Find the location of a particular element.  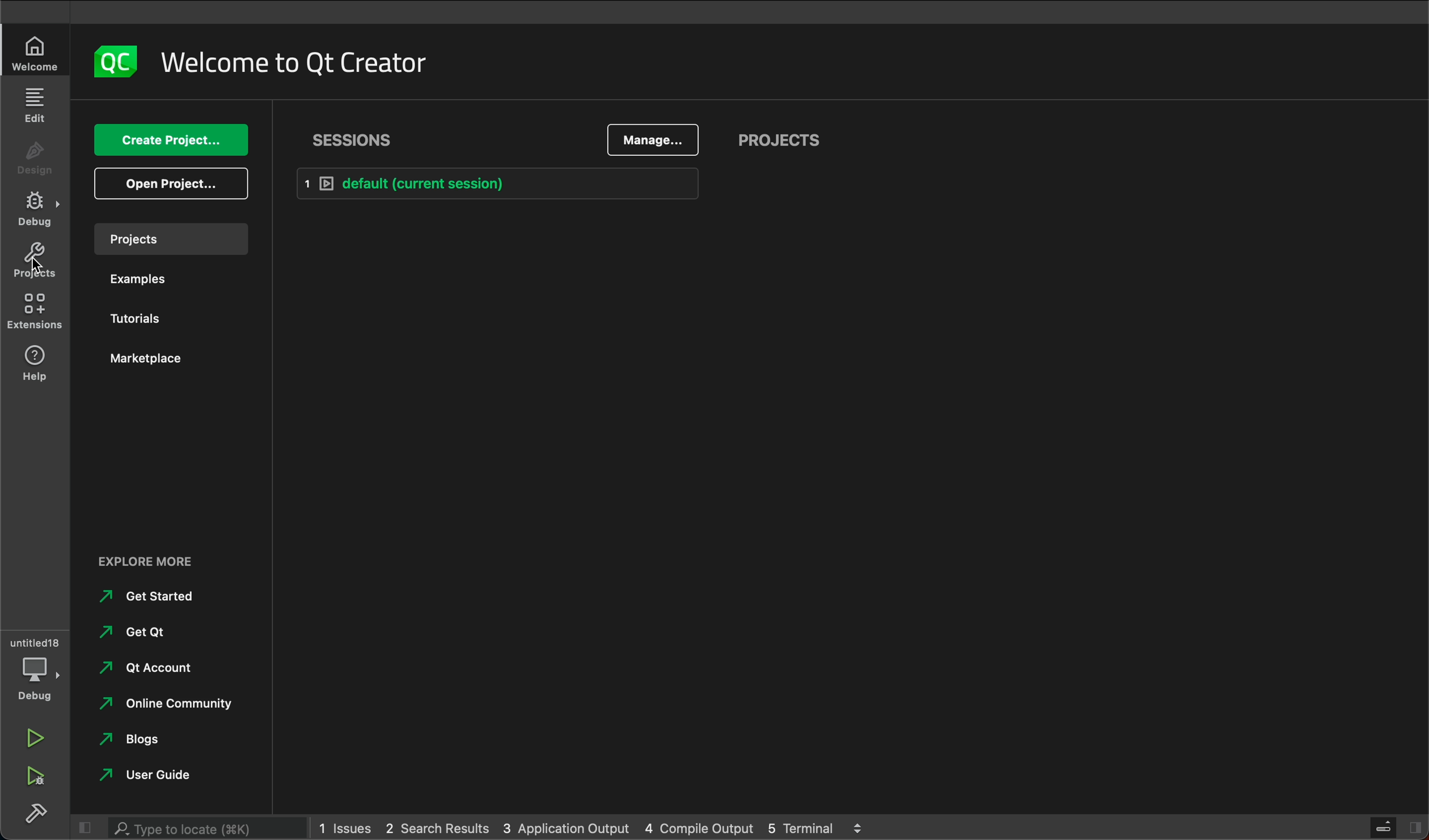

run is located at coordinates (35, 738).